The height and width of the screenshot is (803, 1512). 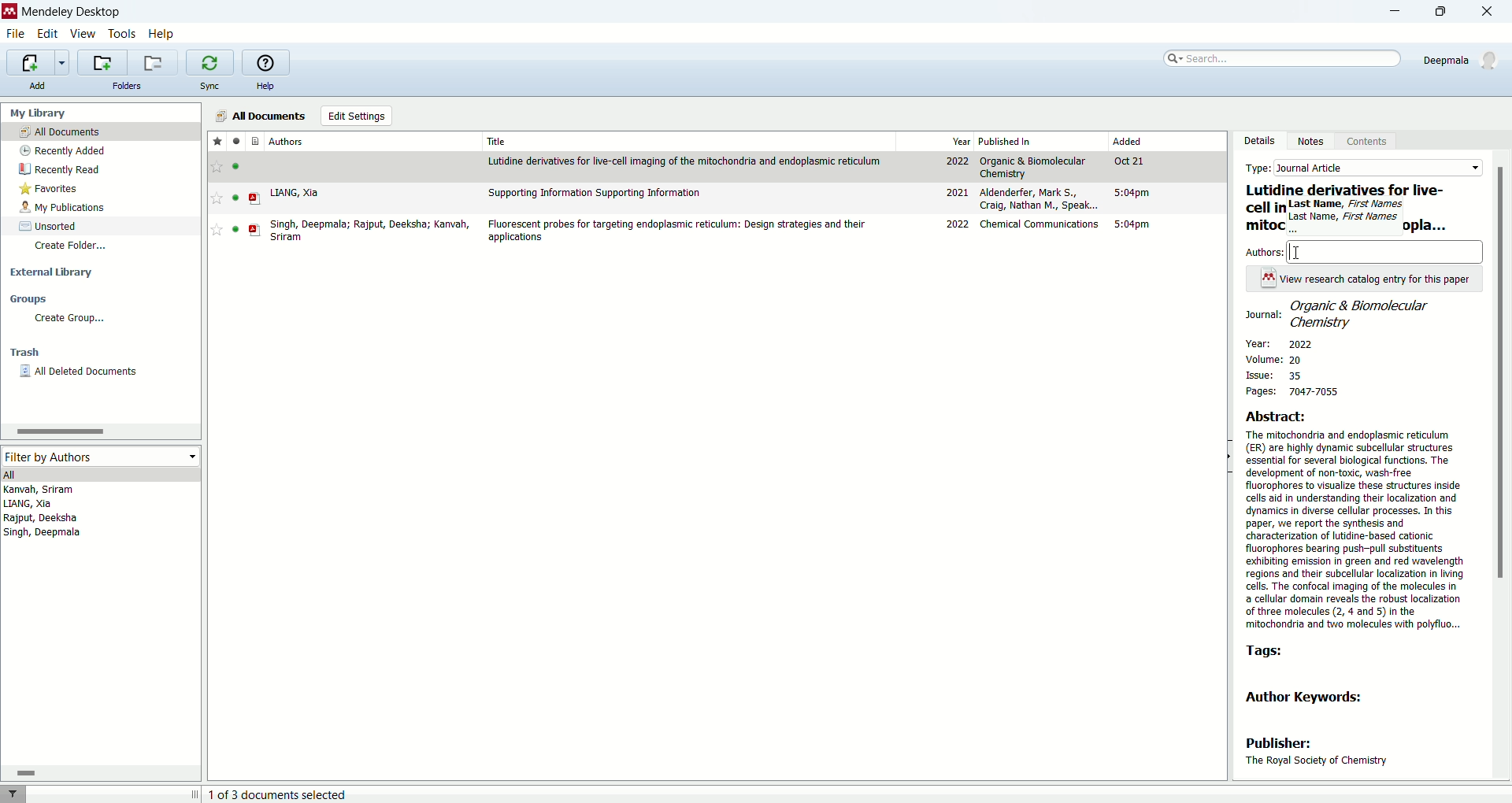 What do you see at coordinates (357, 117) in the screenshot?
I see `edit settings` at bounding box center [357, 117].